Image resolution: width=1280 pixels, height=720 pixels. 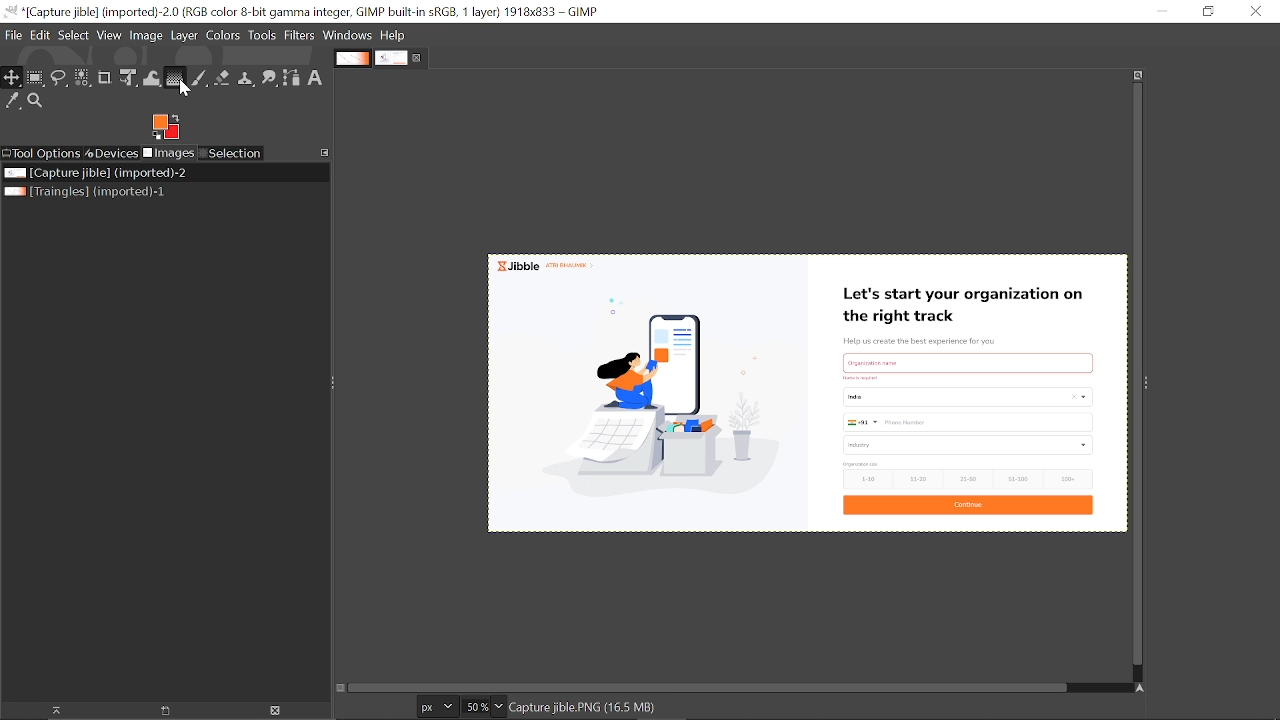 What do you see at coordinates (165, 127) in the screenshot?
I see `Foreground color` at bounding box center [165, 127].